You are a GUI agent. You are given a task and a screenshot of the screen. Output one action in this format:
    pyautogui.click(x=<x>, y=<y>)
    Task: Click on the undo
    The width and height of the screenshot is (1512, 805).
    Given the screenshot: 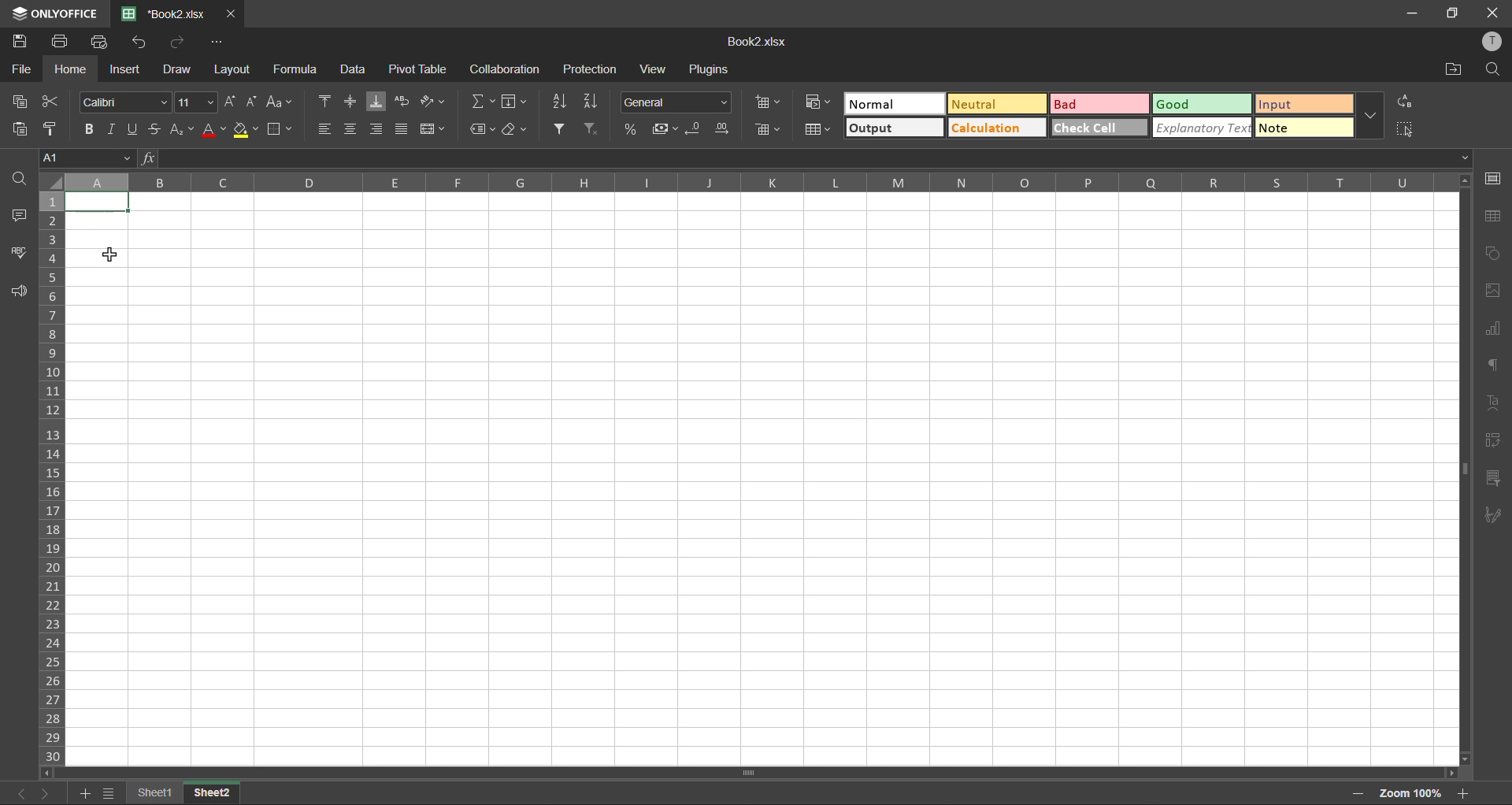 What is the action you would take?
    pyautogui.click(x=141, y=42)
    